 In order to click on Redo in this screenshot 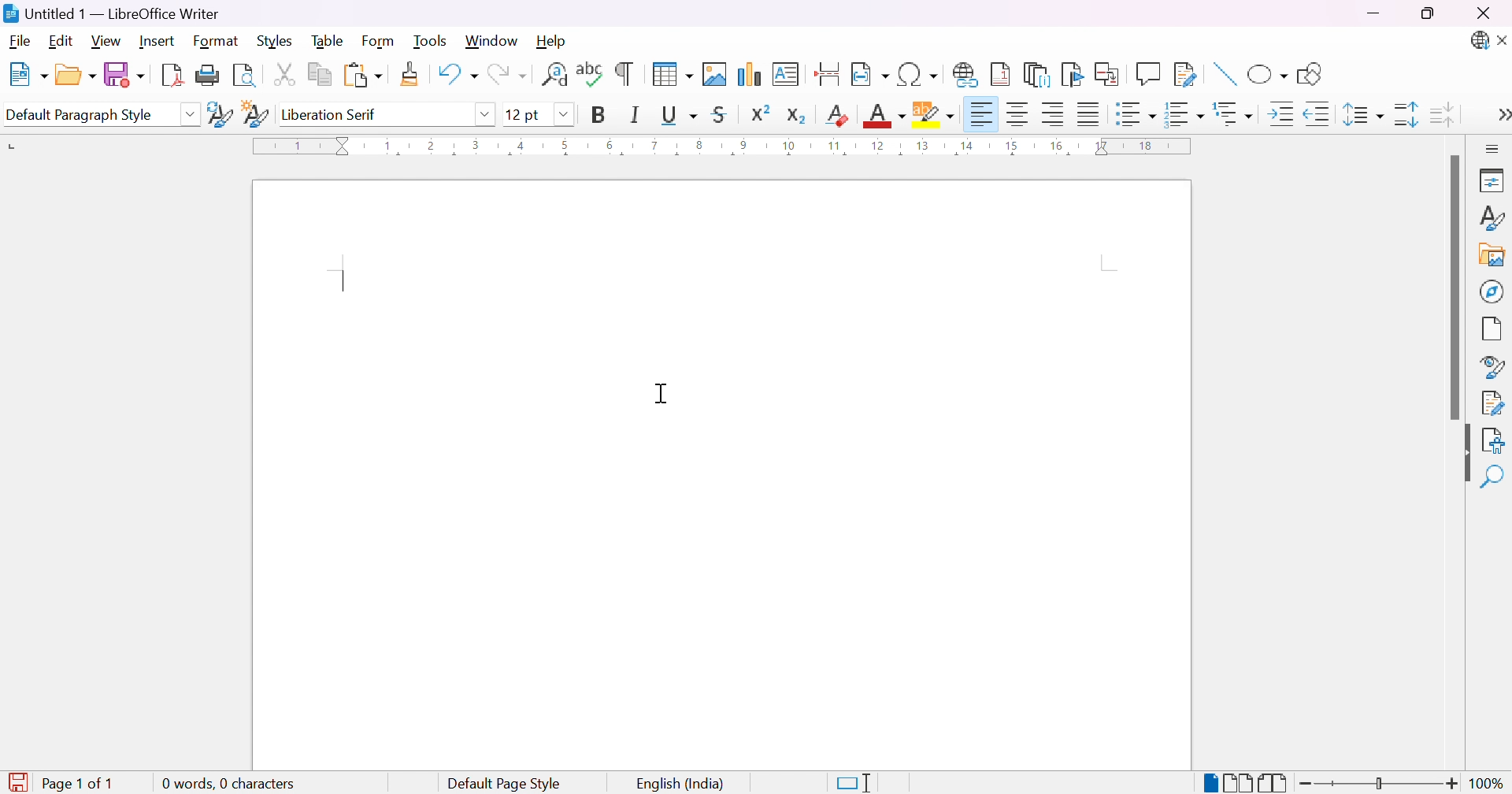, I will do `click(506, 78)`.